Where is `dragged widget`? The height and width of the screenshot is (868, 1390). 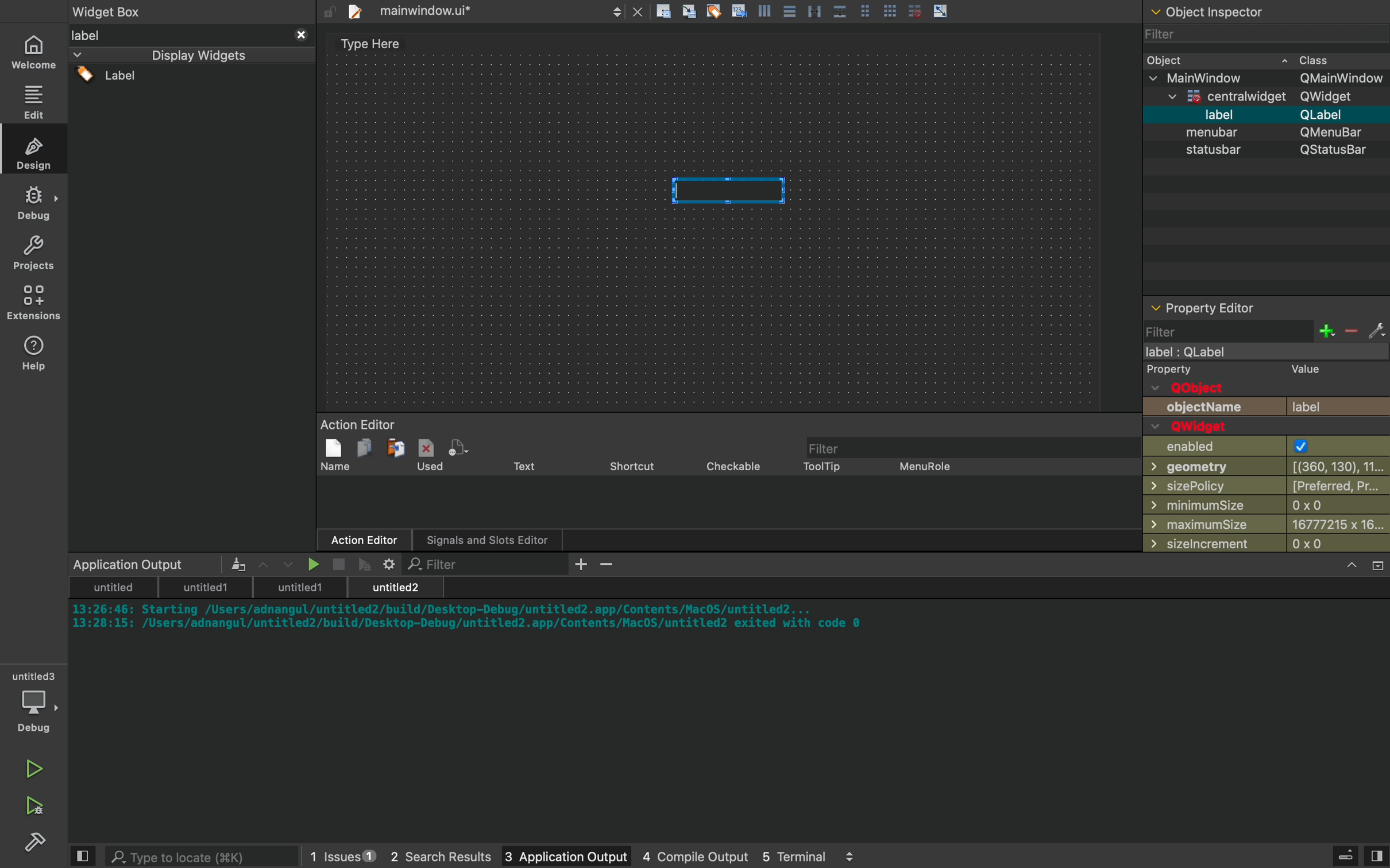
dragged widget is located at coordinates (727, 191).